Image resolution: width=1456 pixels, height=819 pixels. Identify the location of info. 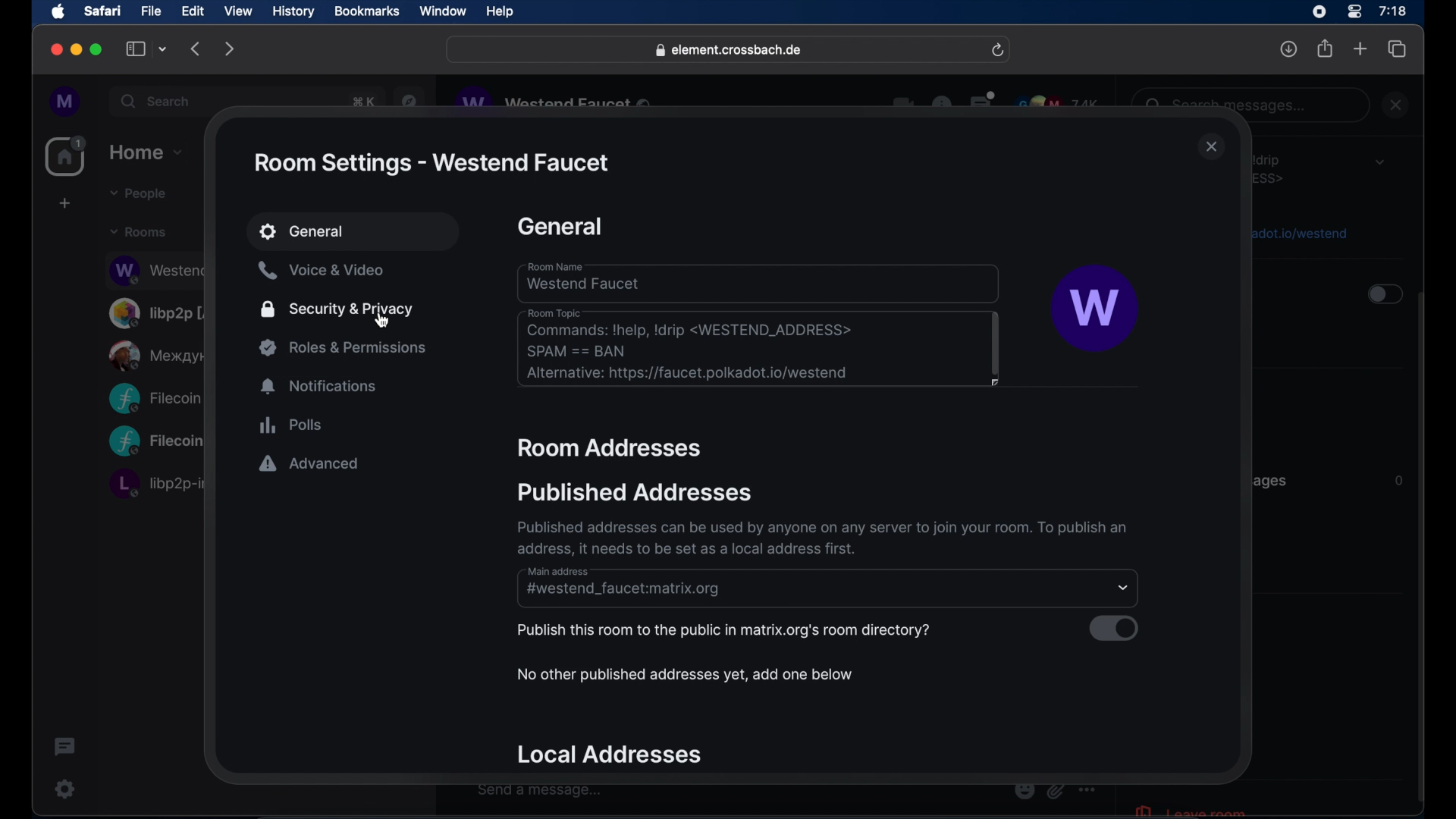
(684, 675).